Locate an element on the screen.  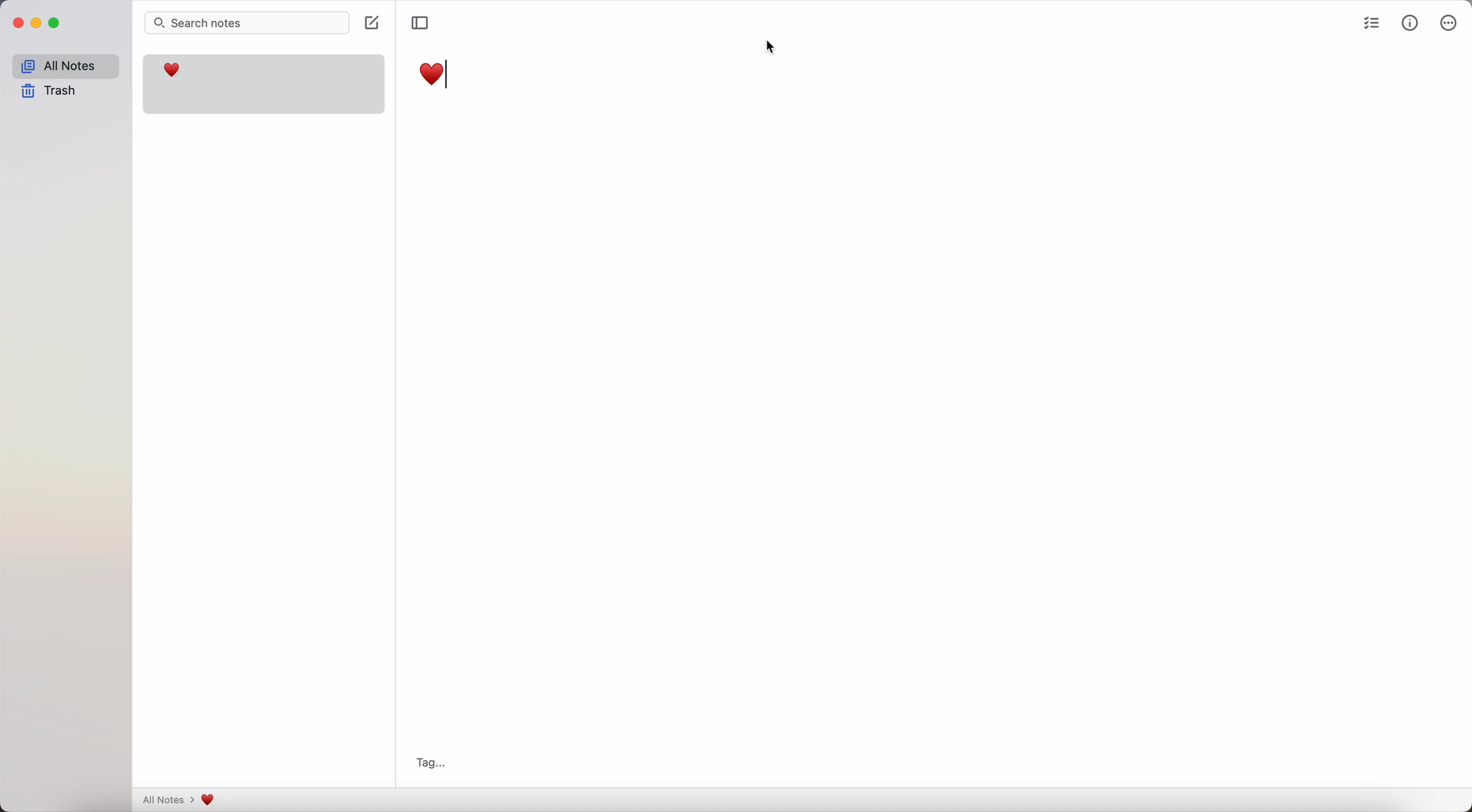
metrics is located at coordinates (1411, 22).